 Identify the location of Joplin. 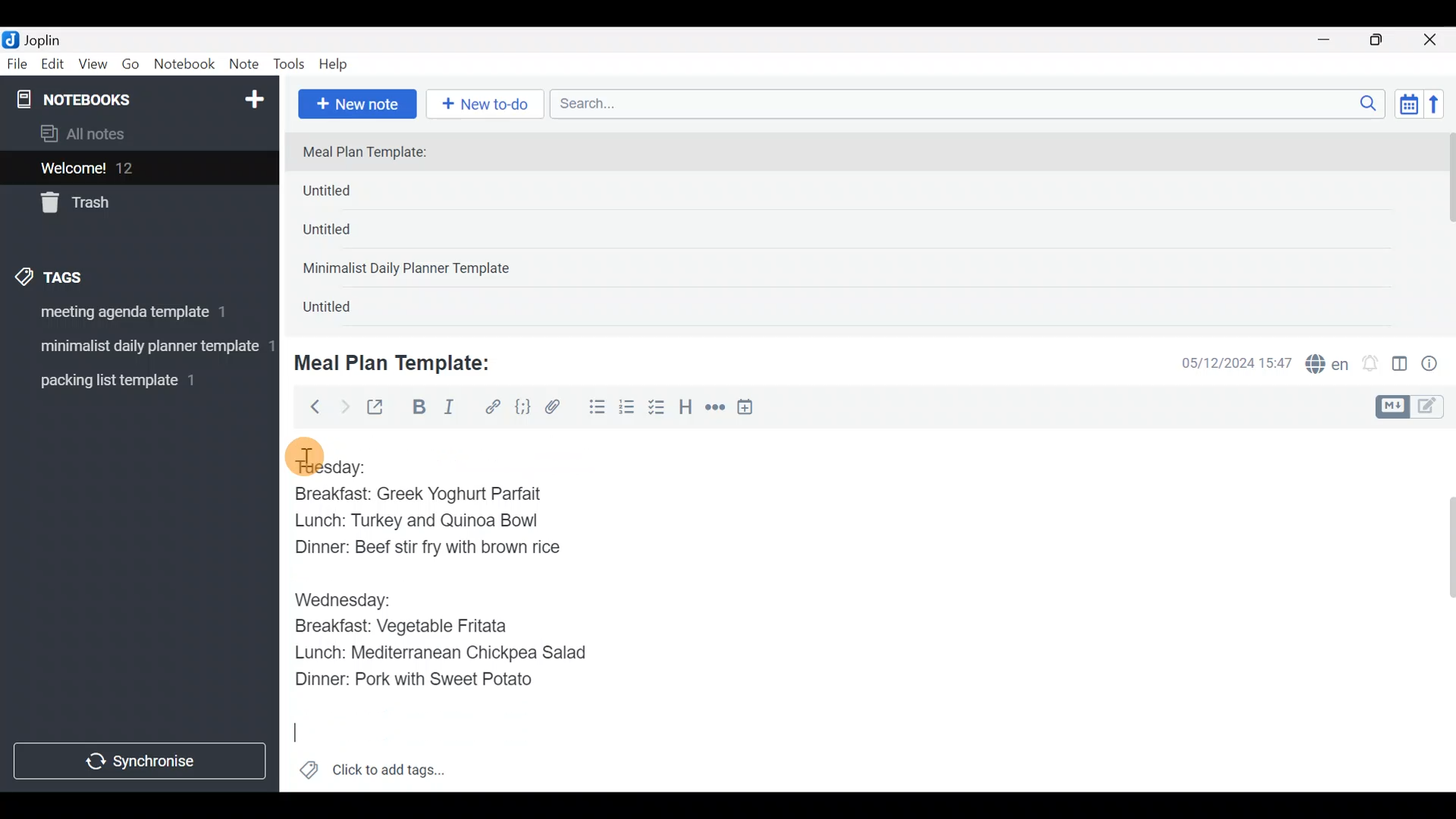
(52, 38).